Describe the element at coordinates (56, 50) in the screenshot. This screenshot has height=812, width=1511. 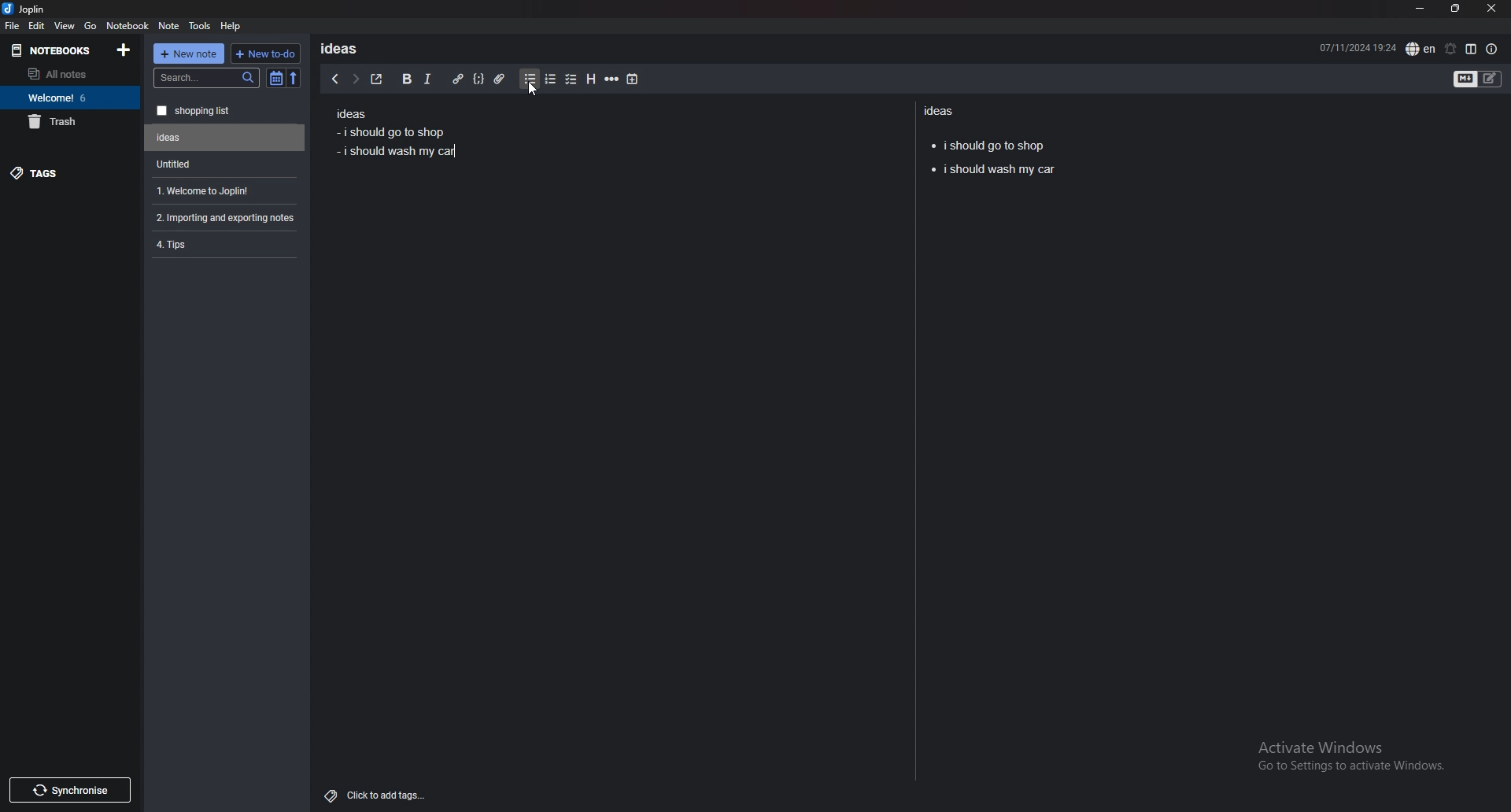
I see `notebooks` at that location.